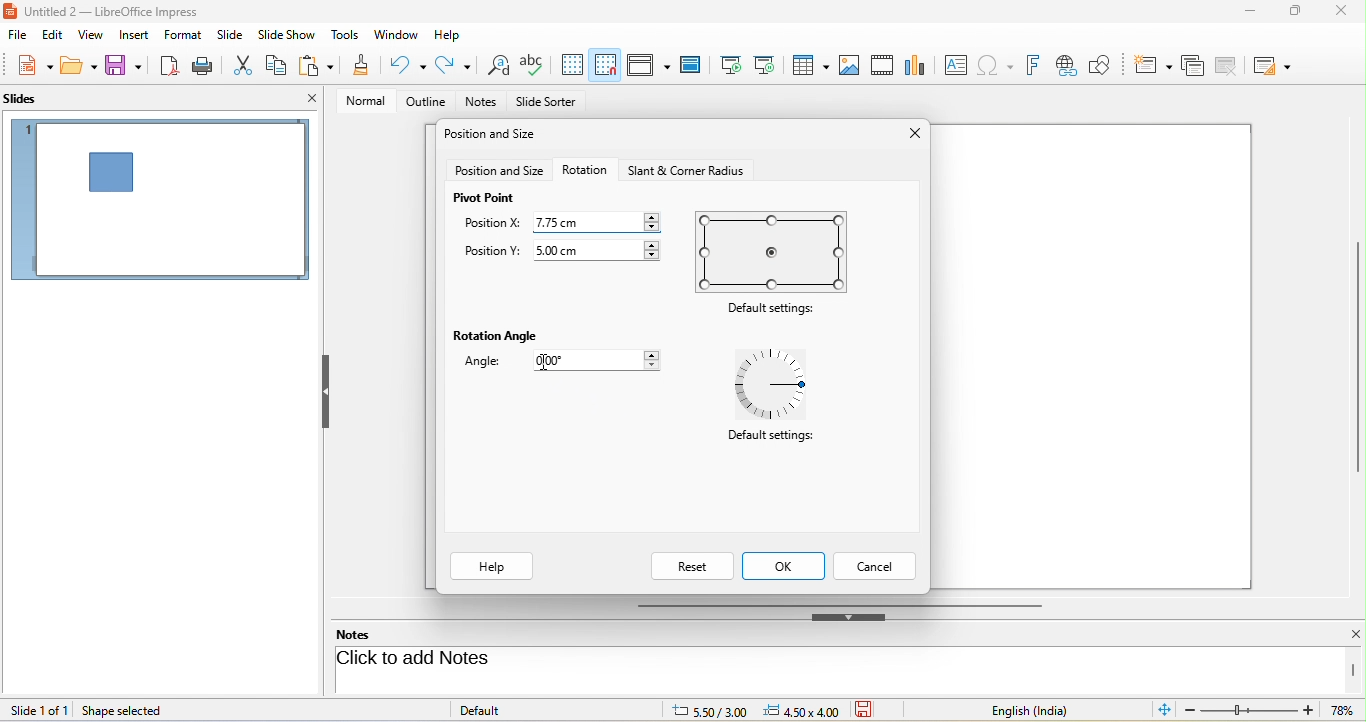 This screenshot has width=1366, height=722. I want to click on vertical scroll bar, so click(1357, 357).